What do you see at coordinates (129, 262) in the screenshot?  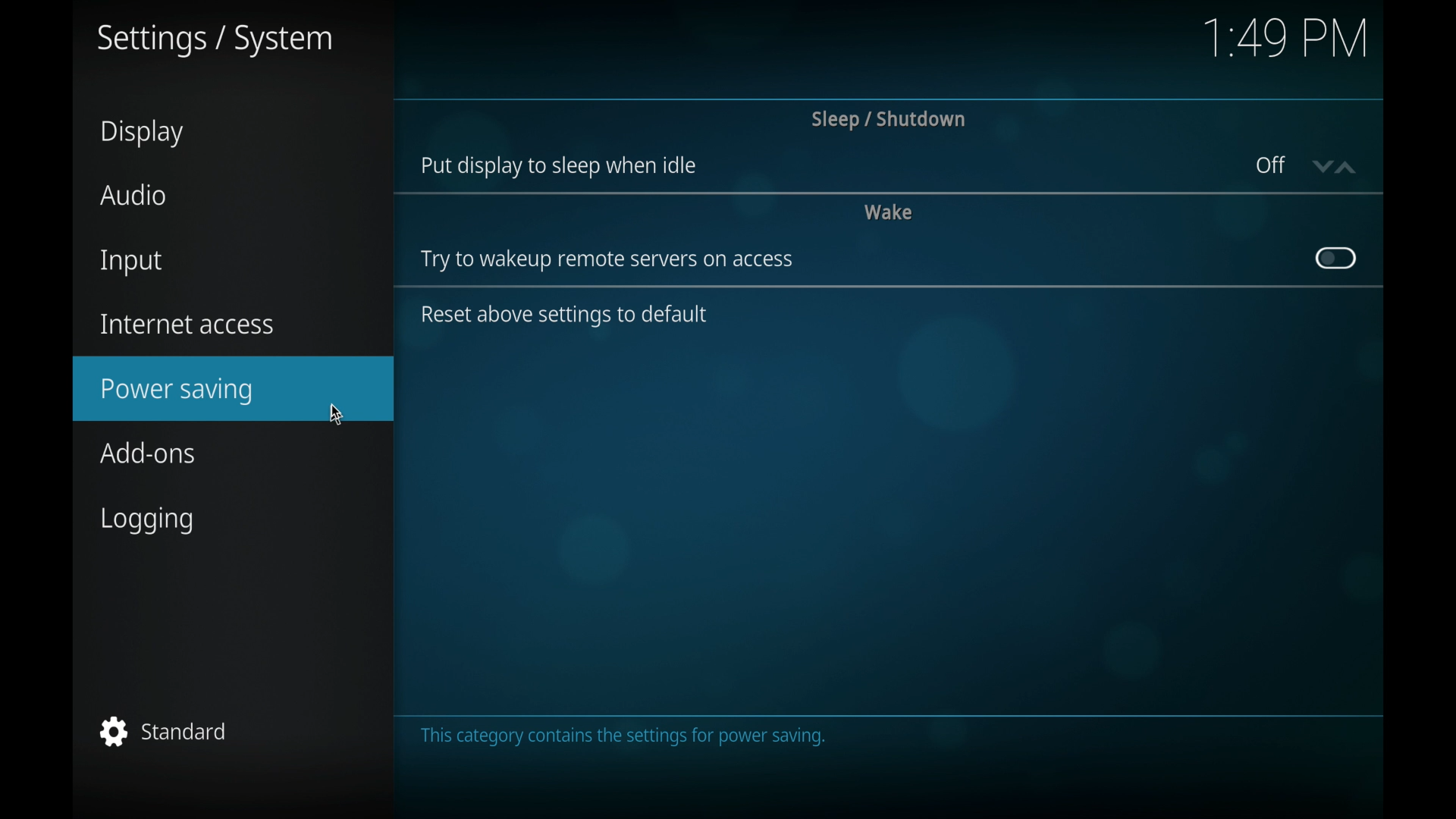 I see `input` at bounding box center [129, 262].